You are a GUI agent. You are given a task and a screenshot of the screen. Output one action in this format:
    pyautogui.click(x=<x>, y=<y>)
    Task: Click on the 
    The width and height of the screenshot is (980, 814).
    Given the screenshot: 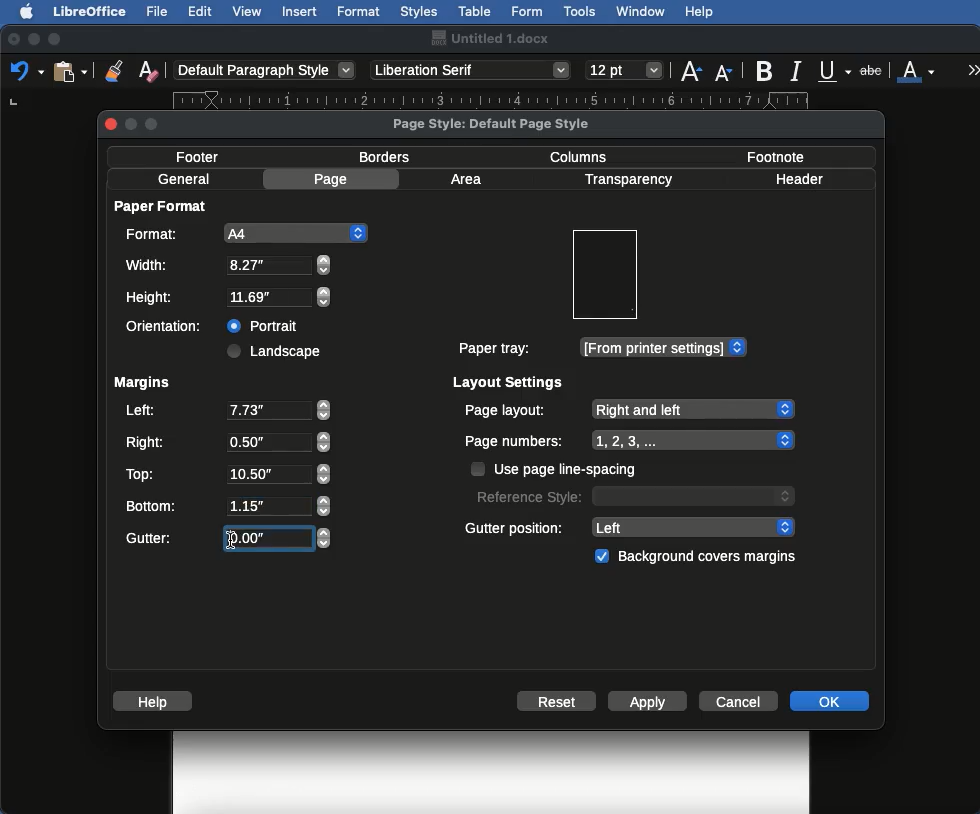 What is the action you would take?
    pyautogui.click(x=230, y=542)
    